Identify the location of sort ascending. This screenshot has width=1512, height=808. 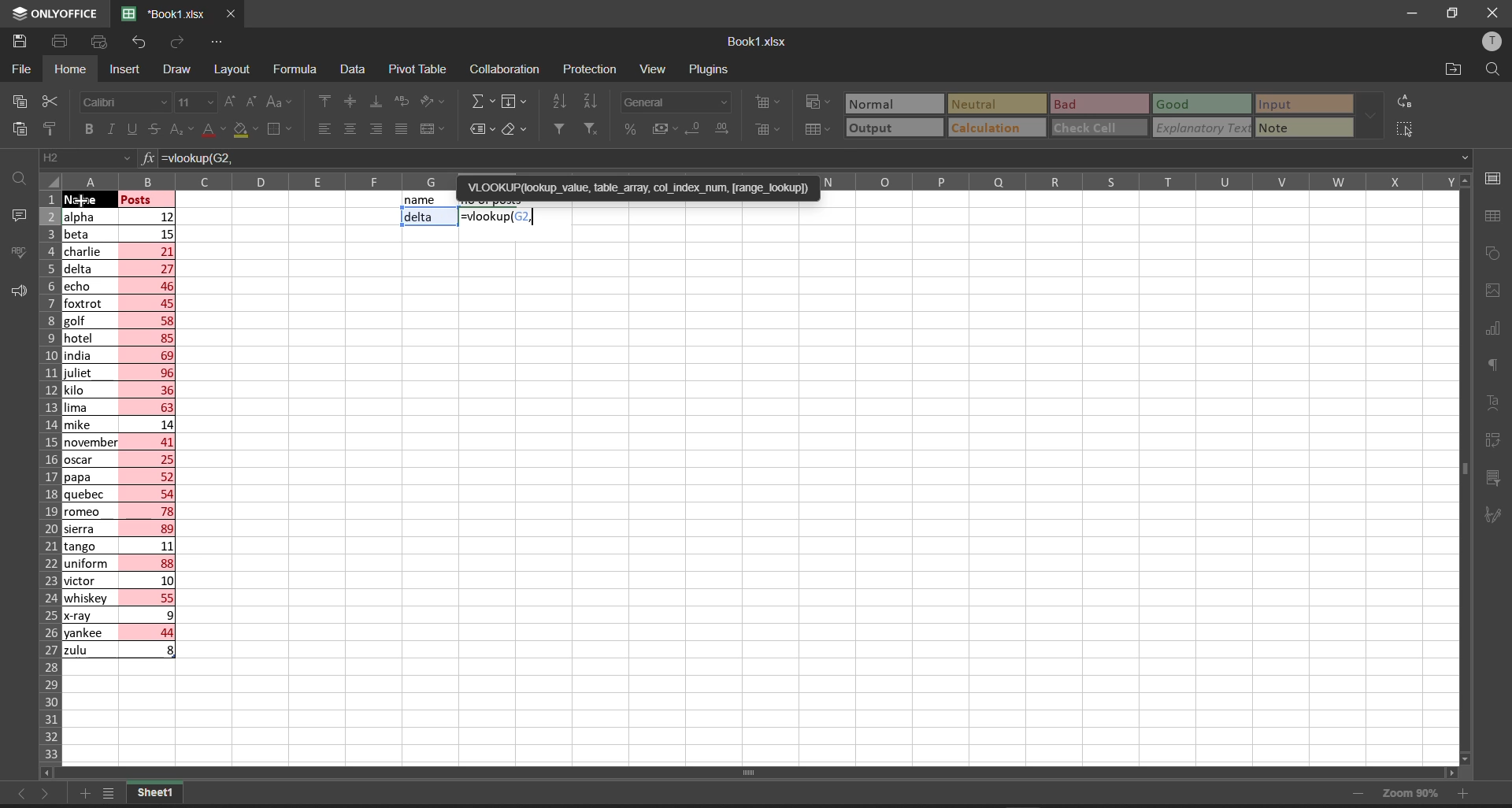
(561, 102).